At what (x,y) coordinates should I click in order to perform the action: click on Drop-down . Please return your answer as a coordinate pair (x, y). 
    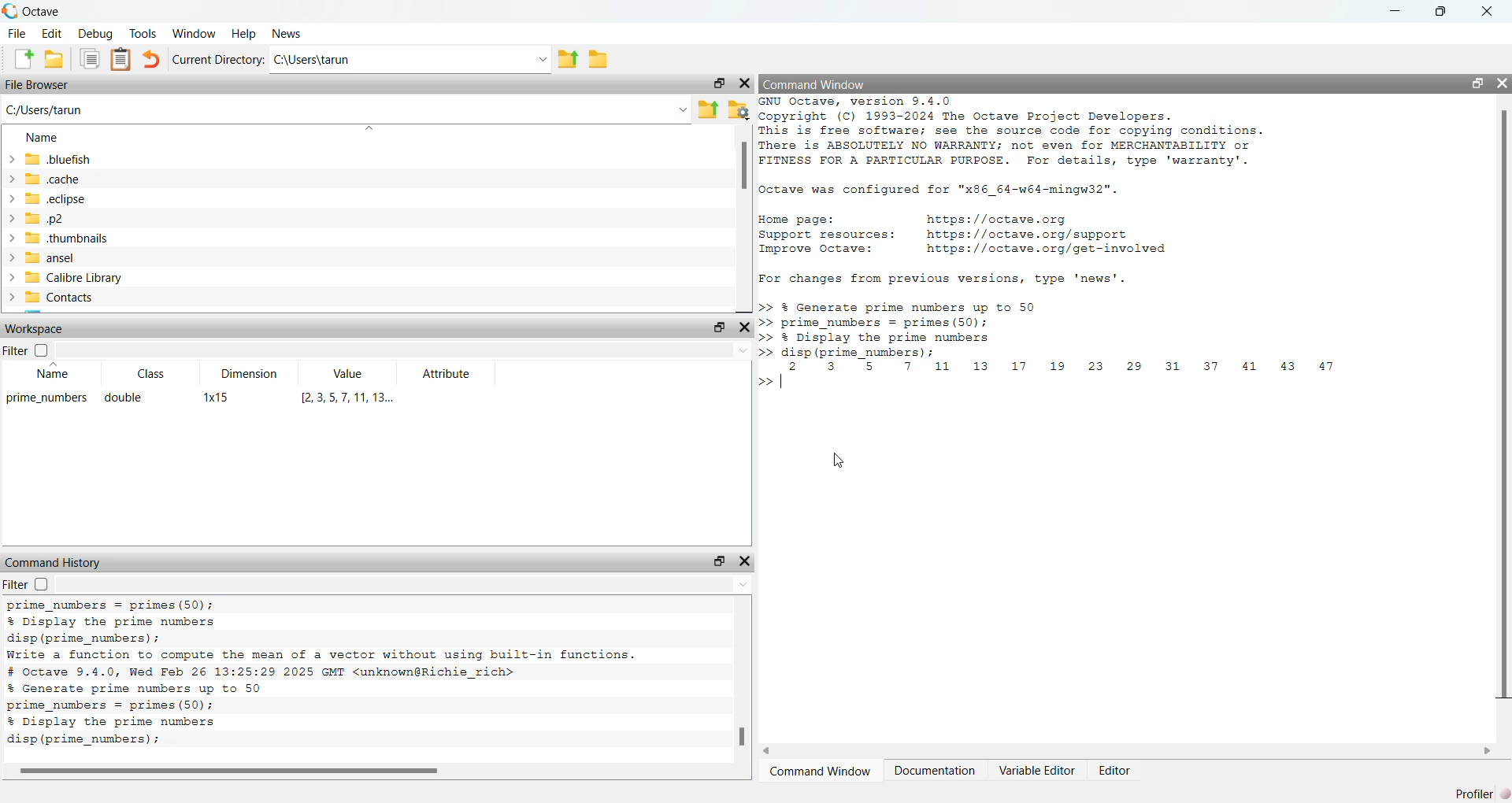
    Looking at the image, I should click on (683, 111).